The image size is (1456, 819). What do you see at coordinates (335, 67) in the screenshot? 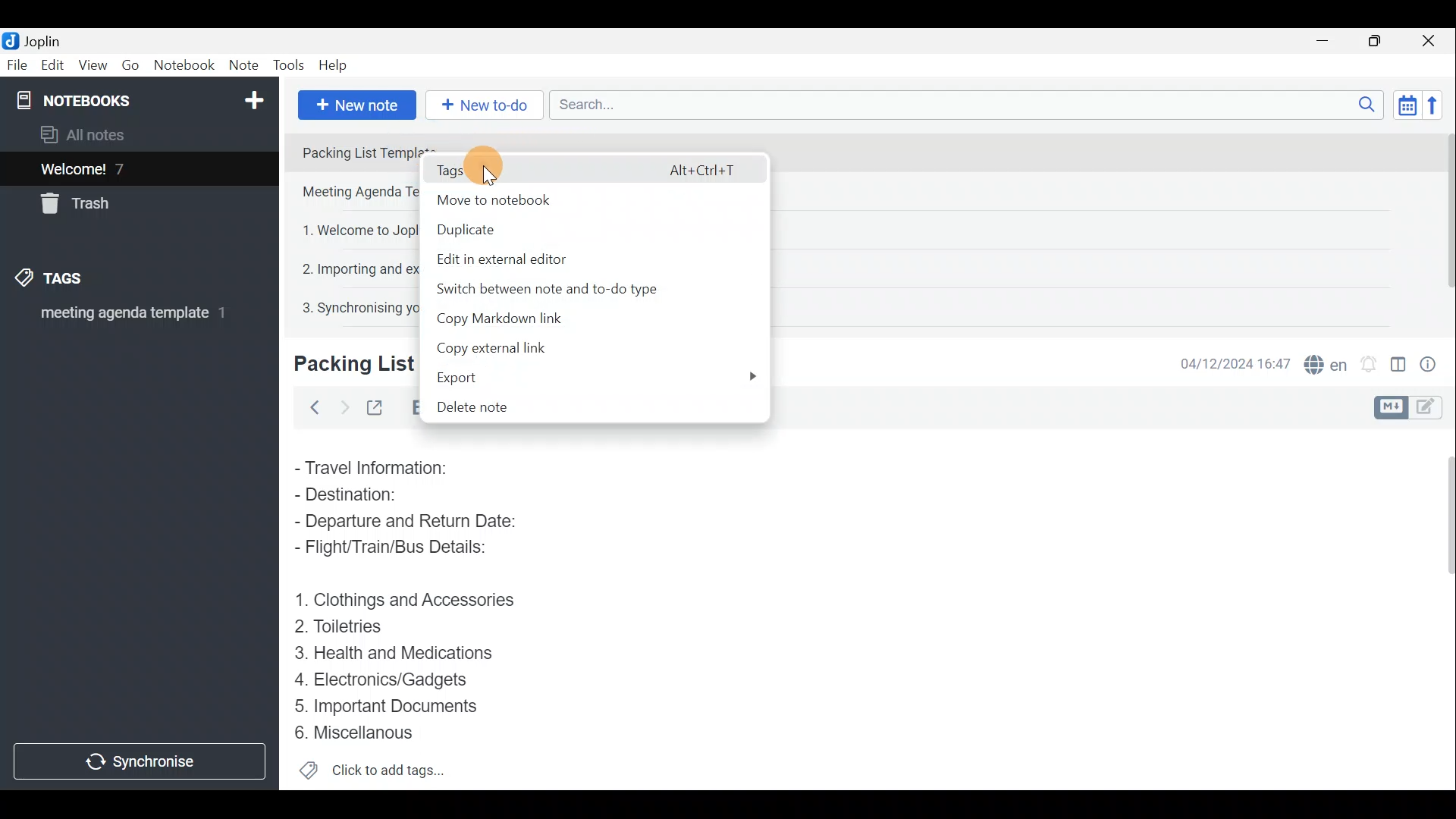
I see `Help` at bounding box center [335, 67].